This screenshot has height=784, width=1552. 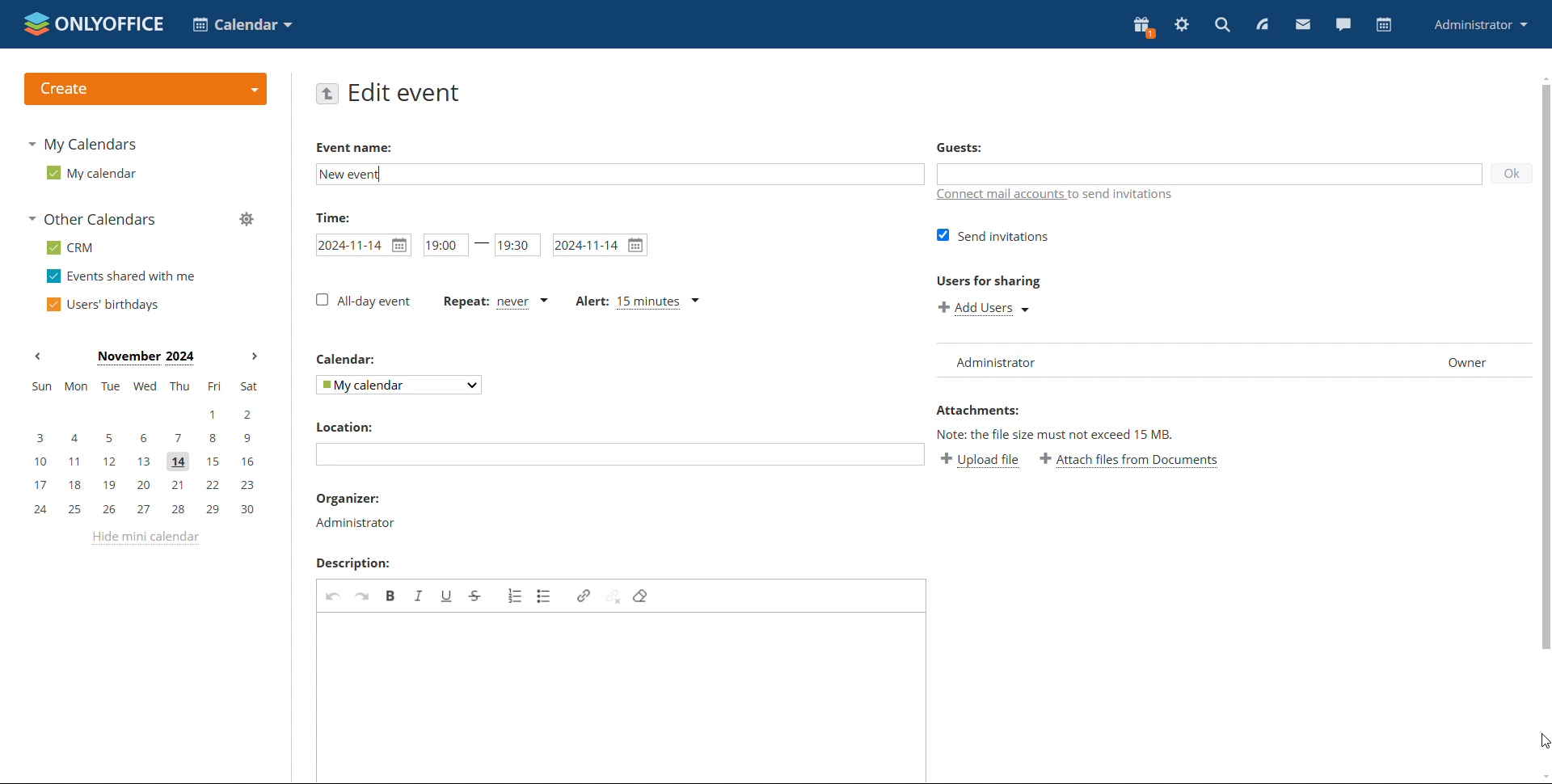 I want to click on , so click(x=406, y=94).